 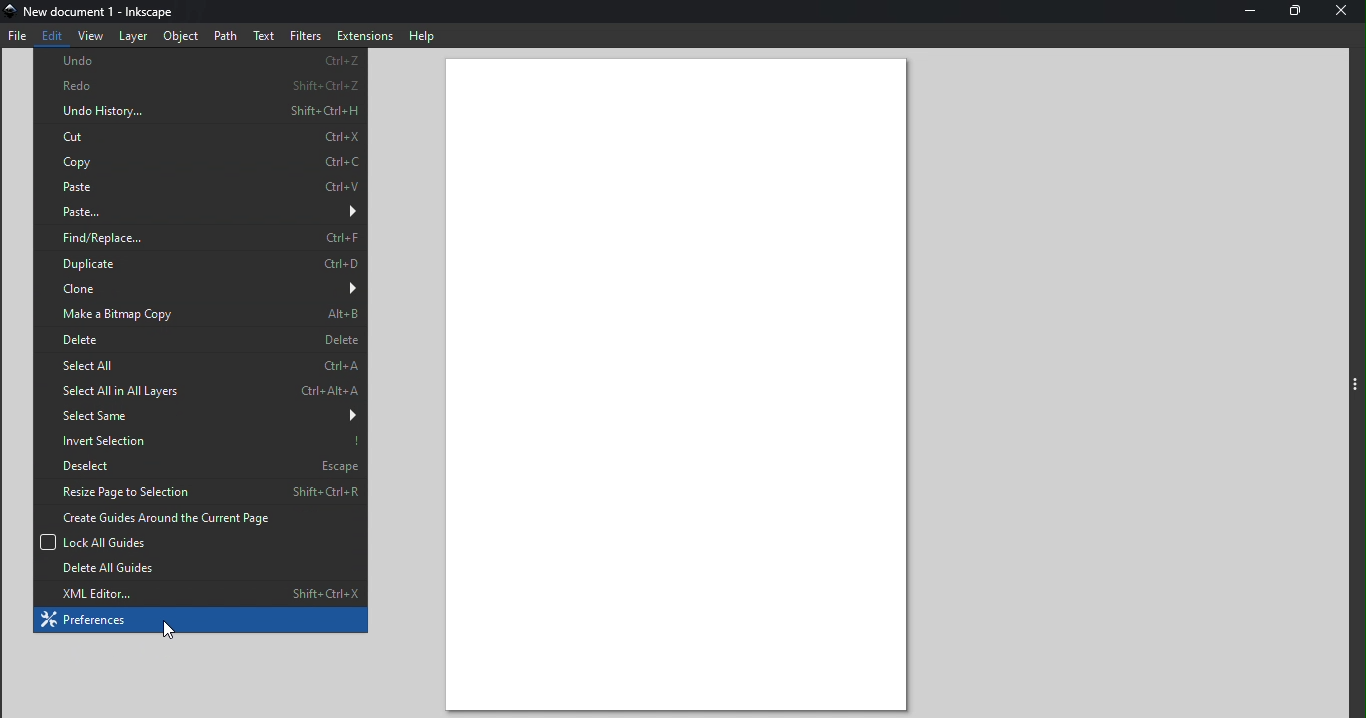 I want to click on Delete all guides, so click(x=197, y=569).